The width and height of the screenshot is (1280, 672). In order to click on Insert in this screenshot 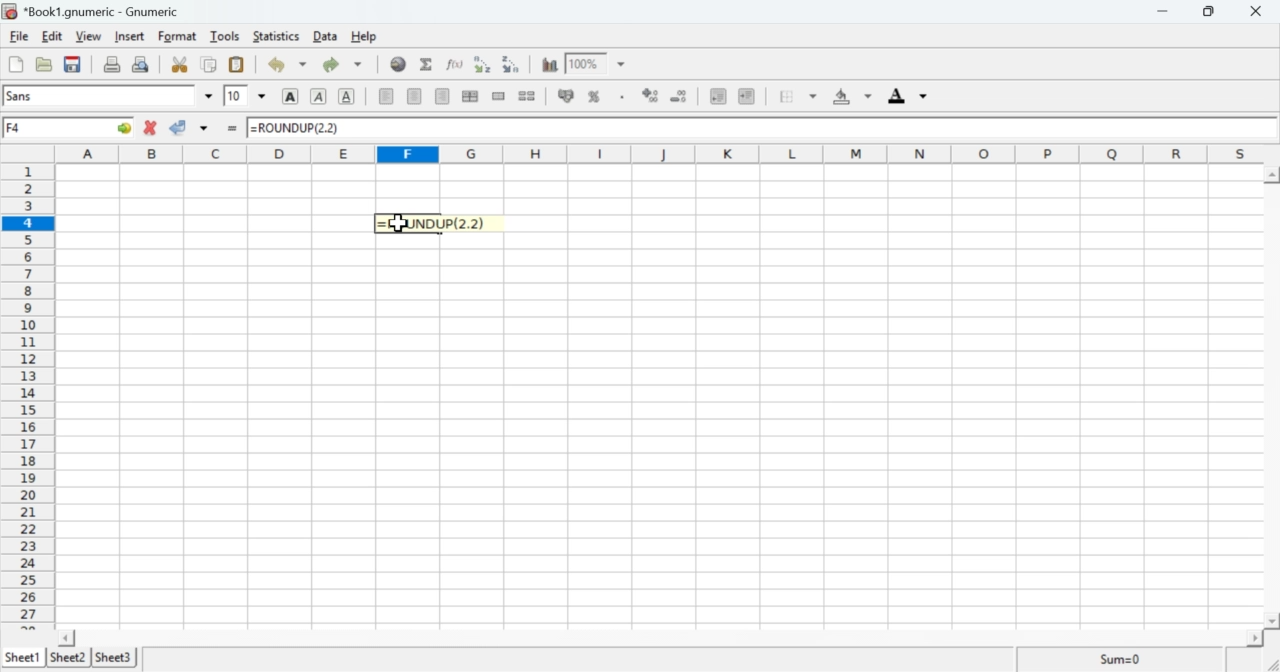, I will do `click(131, 37)`.